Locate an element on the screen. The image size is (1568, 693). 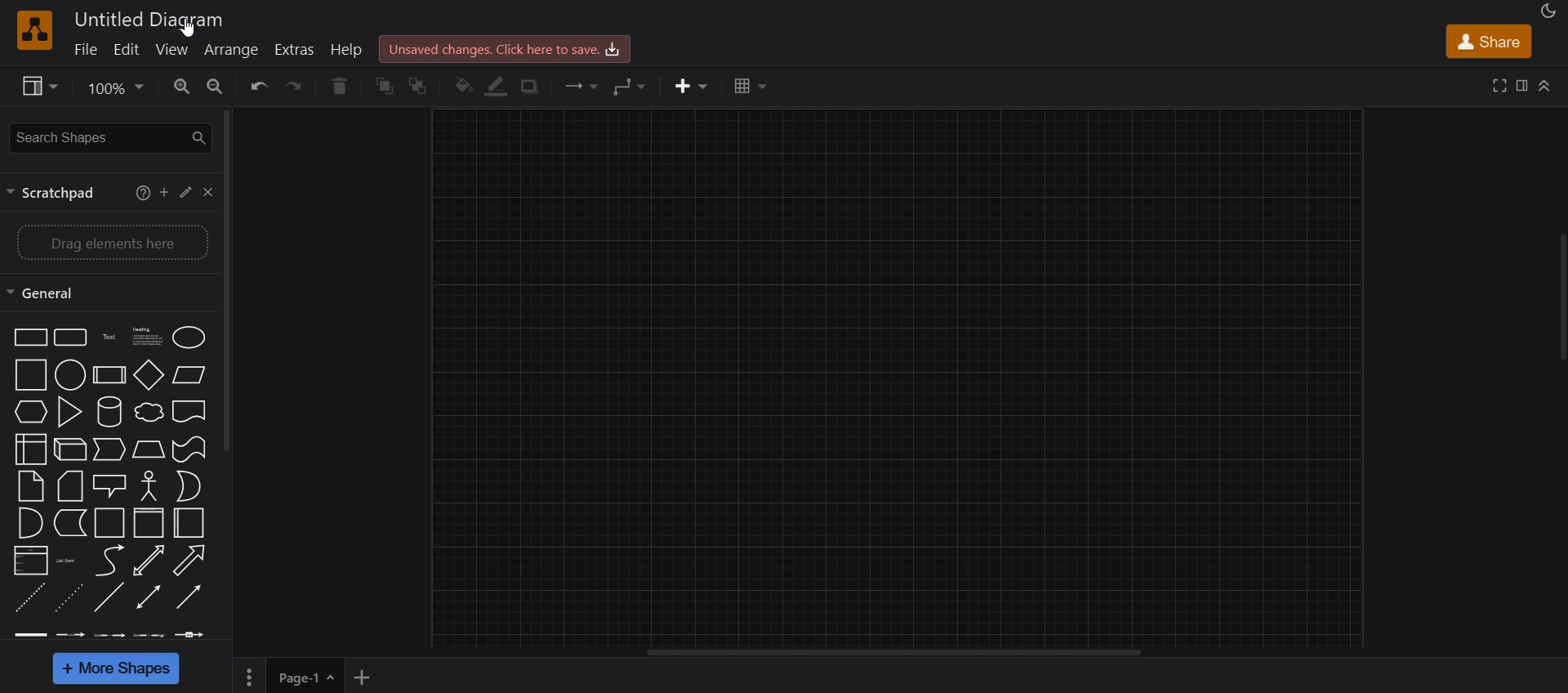
zoom in is located at coordinates (181, 87).